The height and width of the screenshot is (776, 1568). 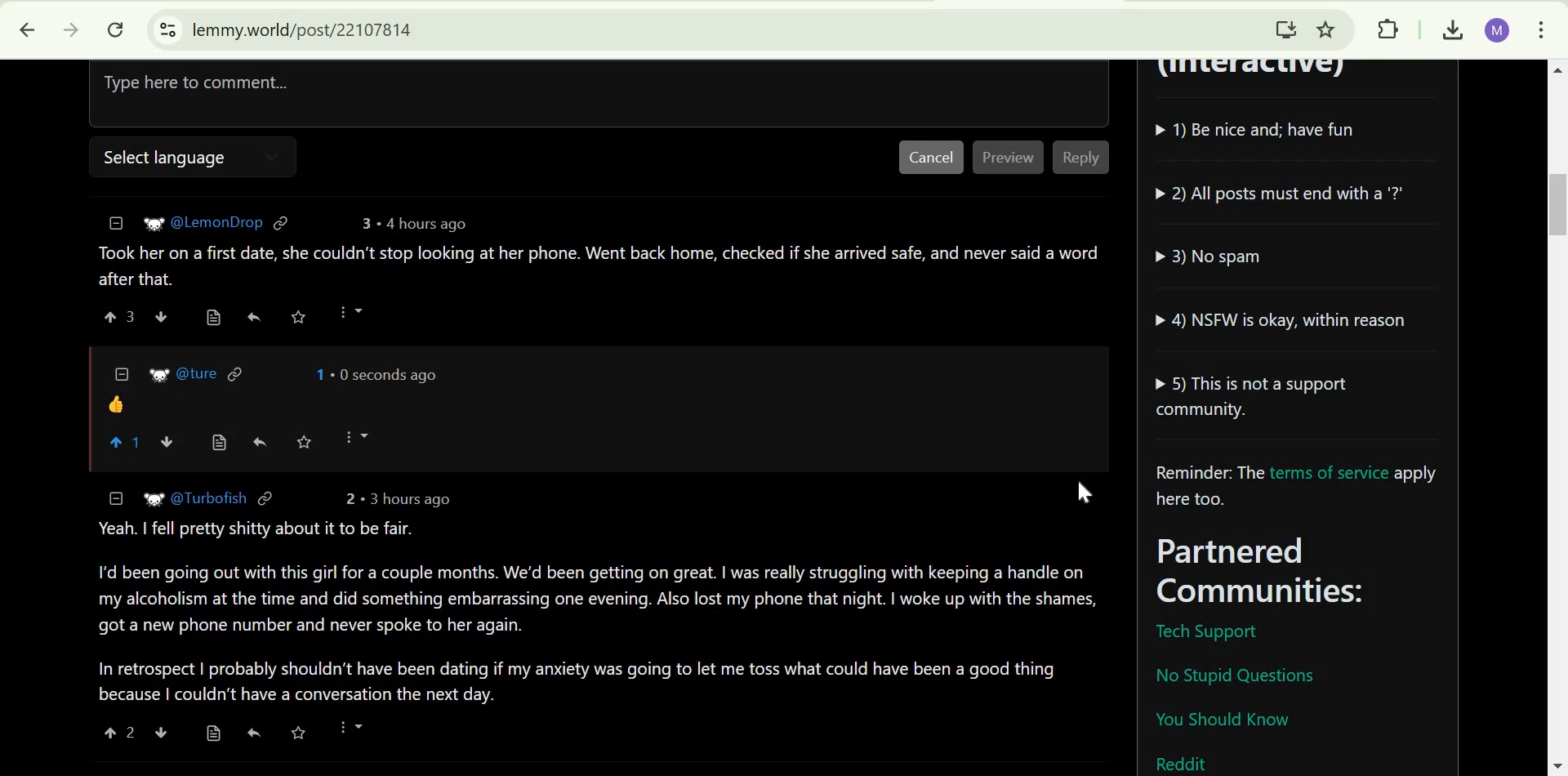 What do you see at coordinates (1327, 27) in the screenshot?
I see `Bookmark this tab` at bounding box center [1327, 27].